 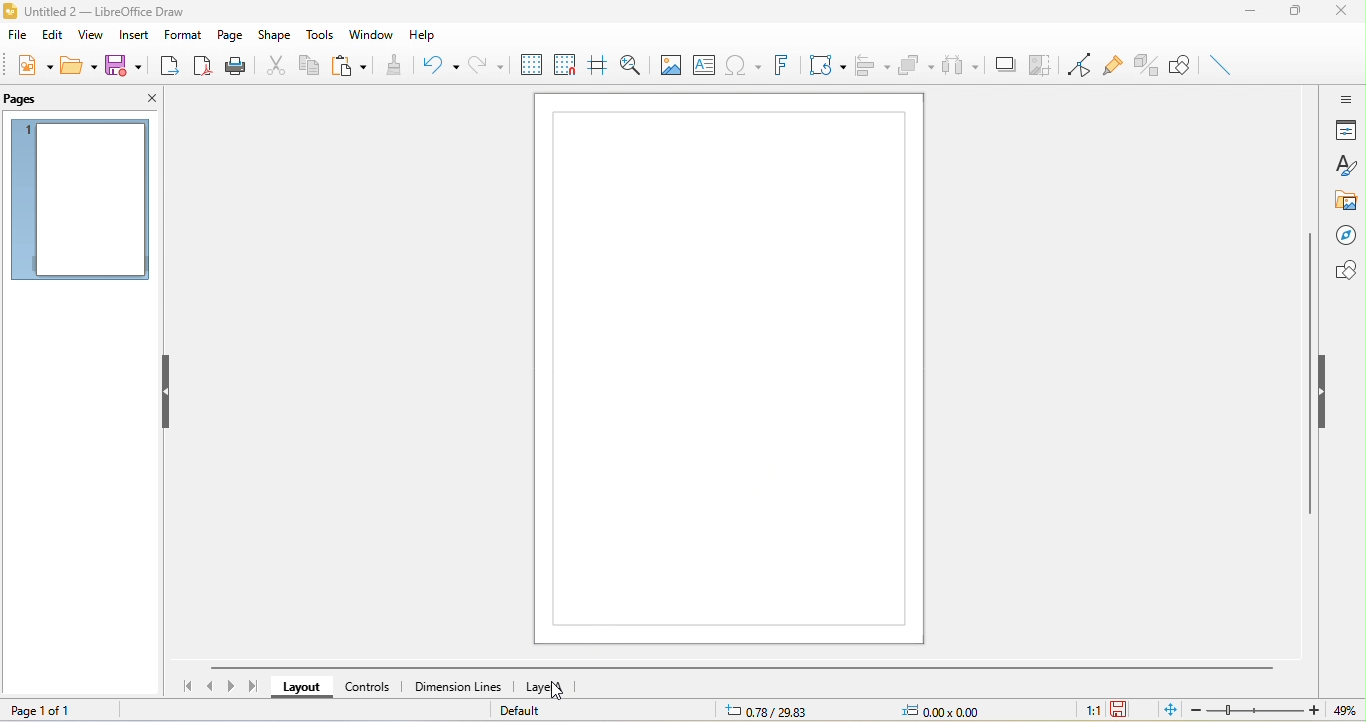 What do you see at coordinates (740, 65) in the screenshot?
I see `special character` at bounding box center [740, 65].